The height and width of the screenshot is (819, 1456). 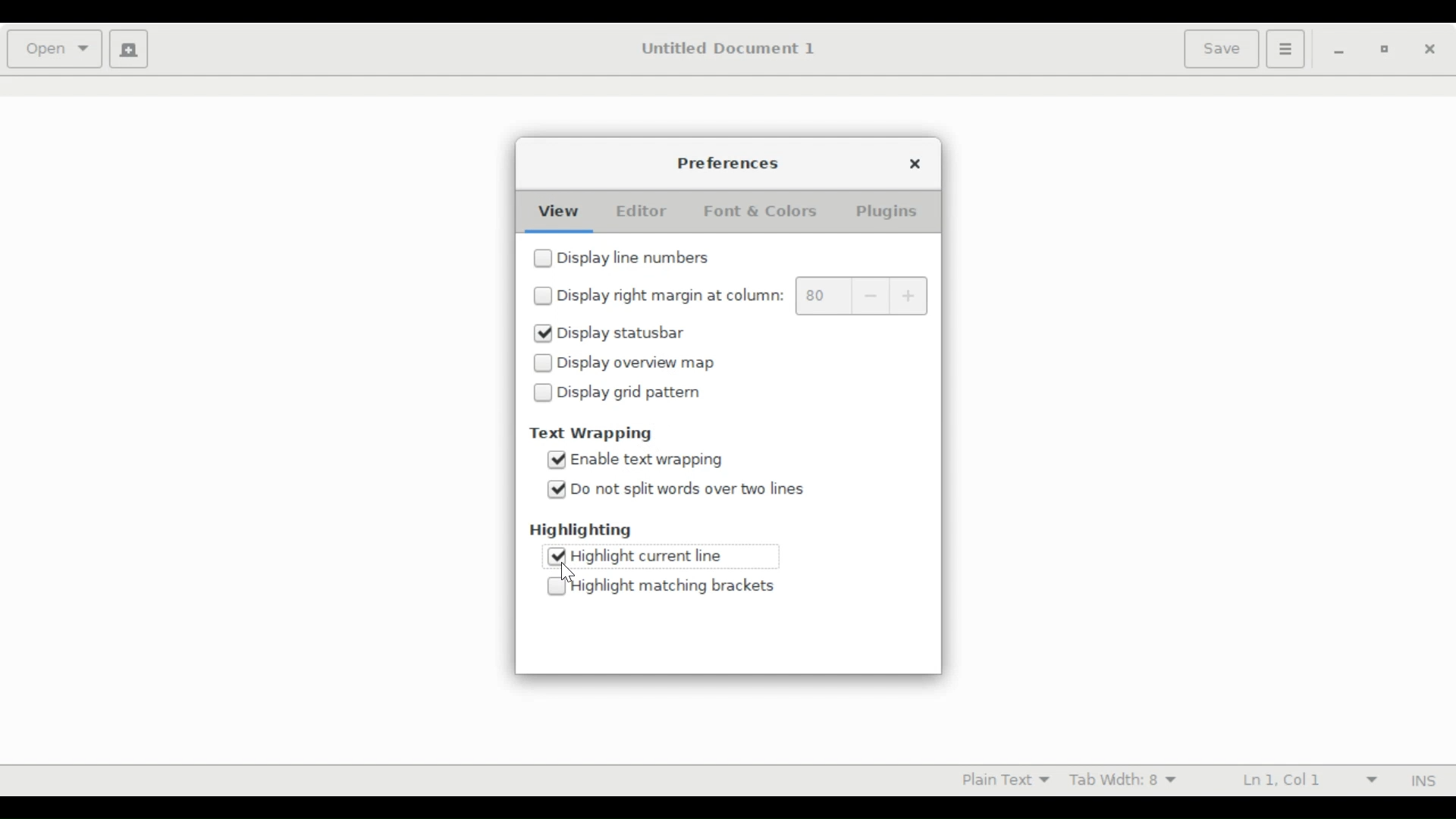 I want to click on checkbox, so click(x=543, y=362).